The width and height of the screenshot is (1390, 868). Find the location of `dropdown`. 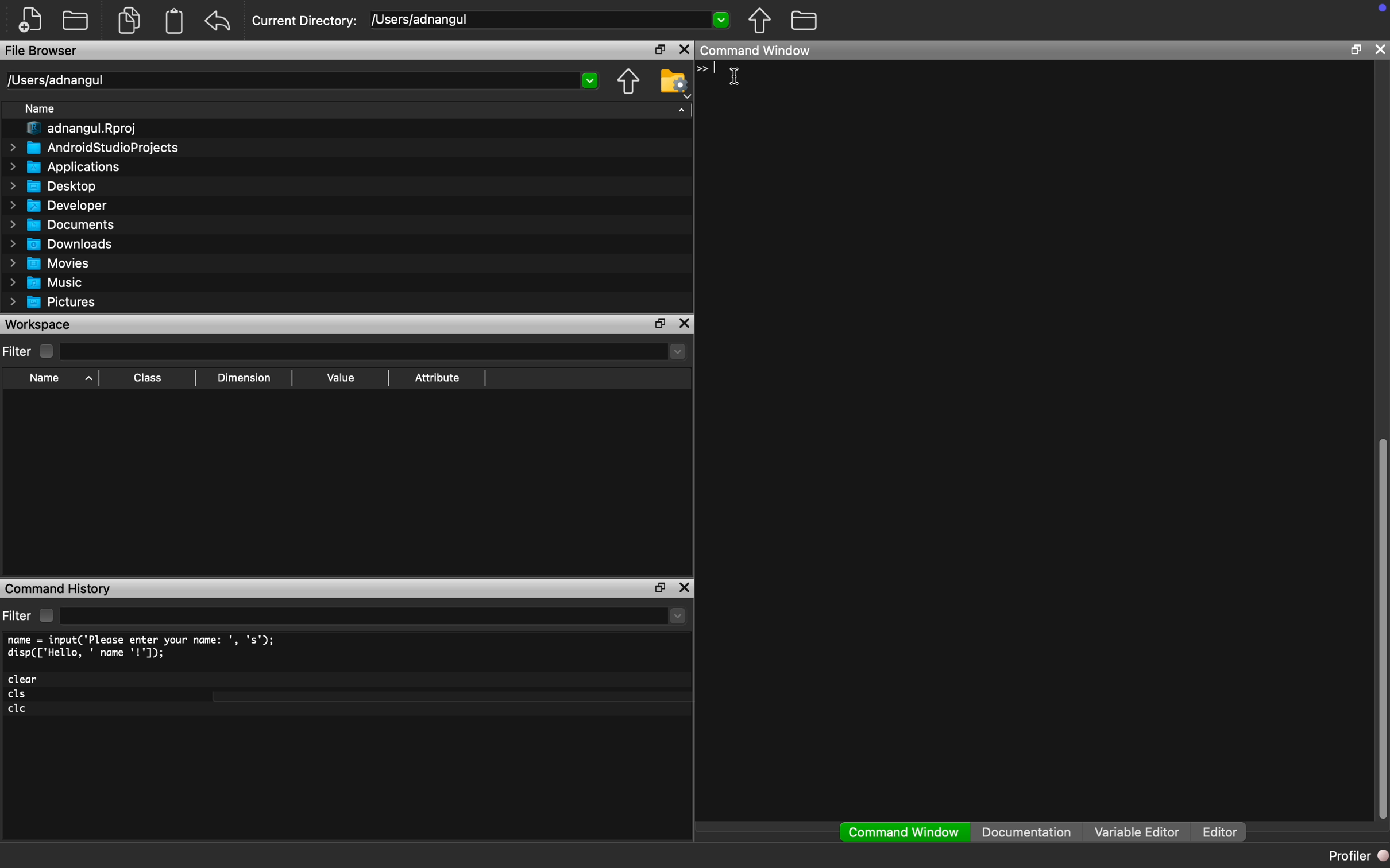

dropdown is located at coordinates (675, 351).